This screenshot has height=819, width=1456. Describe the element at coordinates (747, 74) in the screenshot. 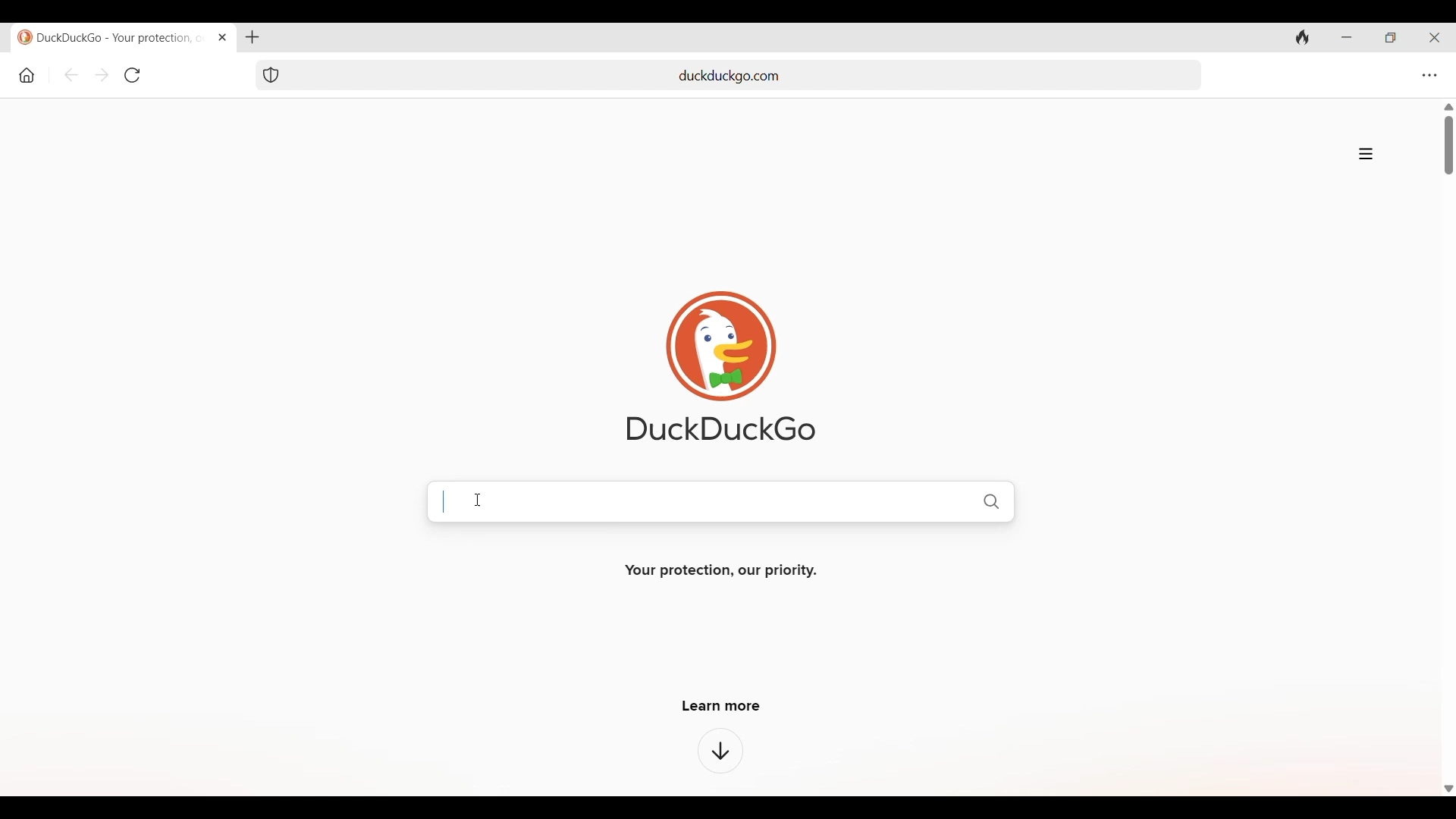

I see `Add URL` at that location.